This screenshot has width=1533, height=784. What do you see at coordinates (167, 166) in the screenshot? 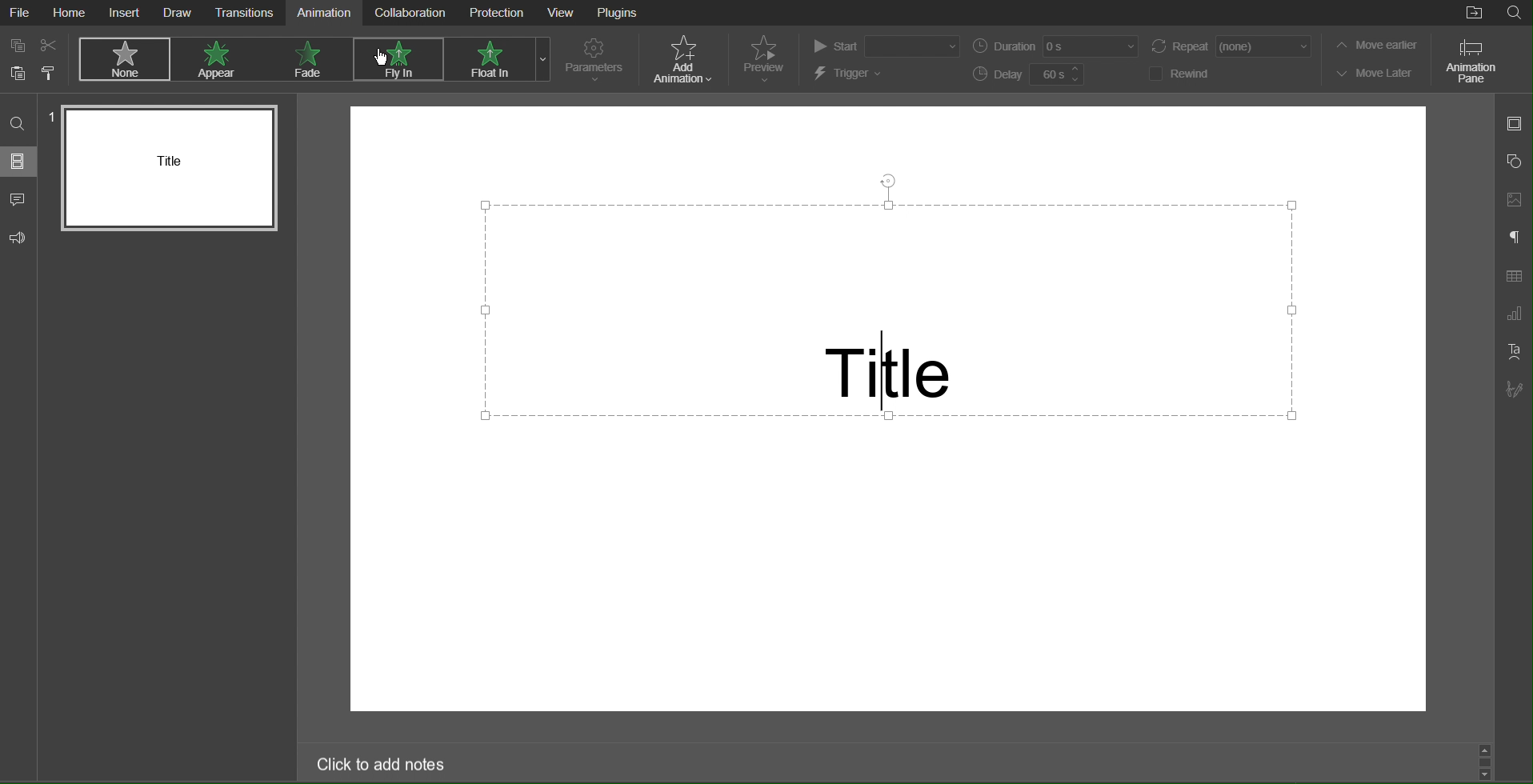
I see `Slide 1` at bounding box center [167, 166].